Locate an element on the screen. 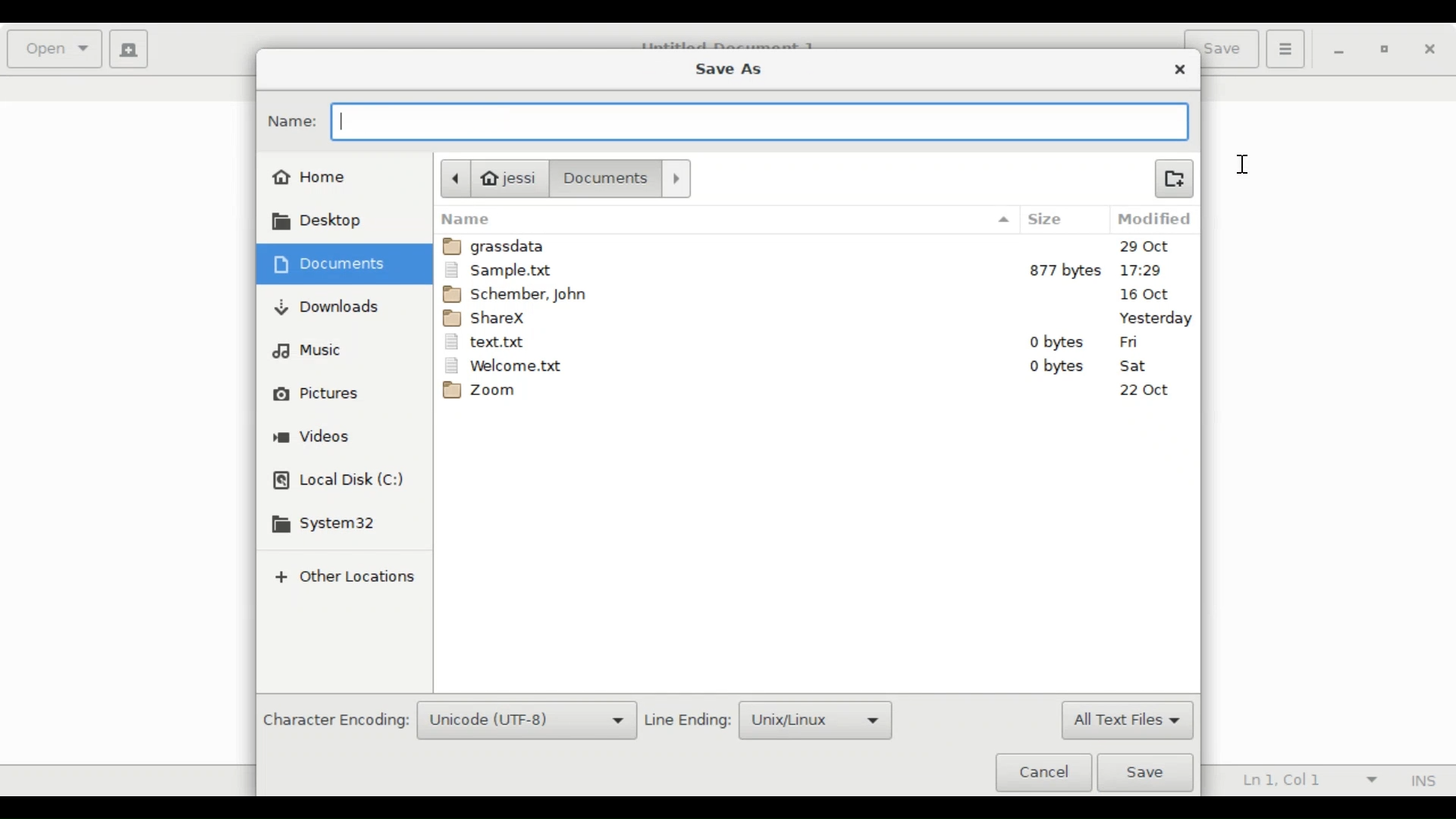 Image resolution: width=1456 pixels, height=819 pixels. Home is located at coordinates (311, 175).